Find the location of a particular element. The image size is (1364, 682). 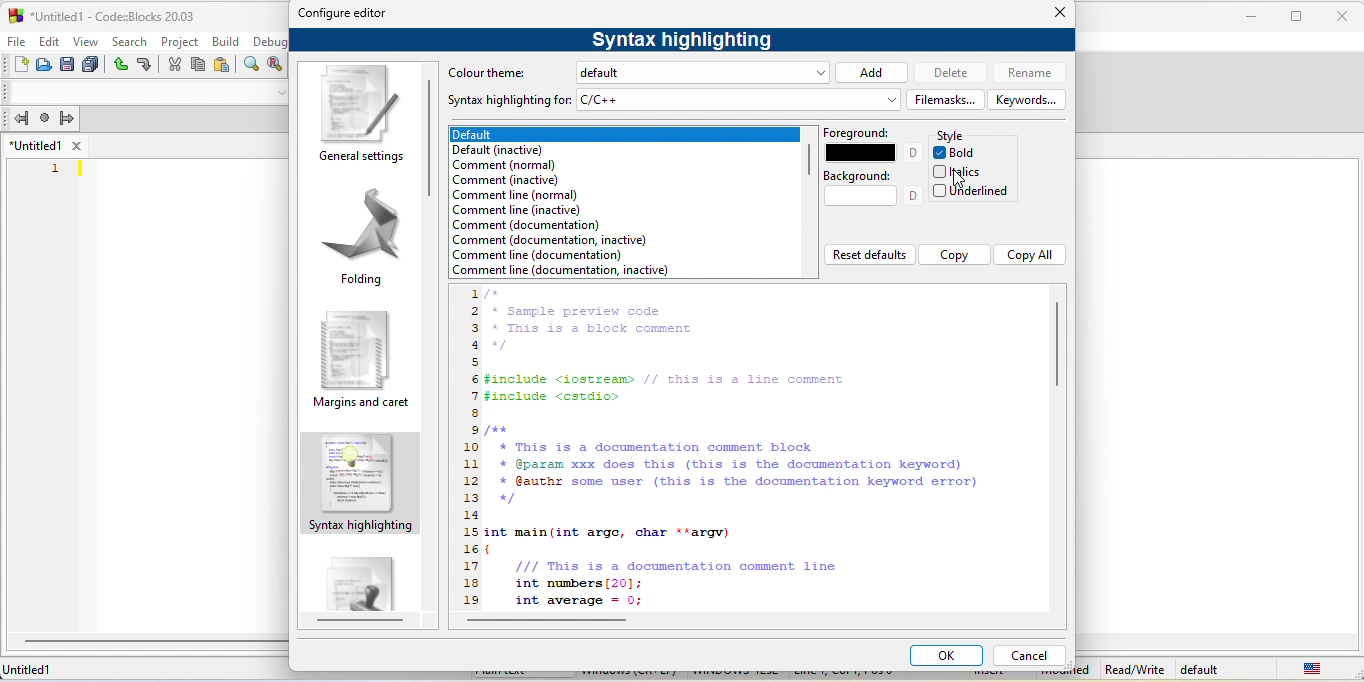

save everything is located at coordinates (91, 65).